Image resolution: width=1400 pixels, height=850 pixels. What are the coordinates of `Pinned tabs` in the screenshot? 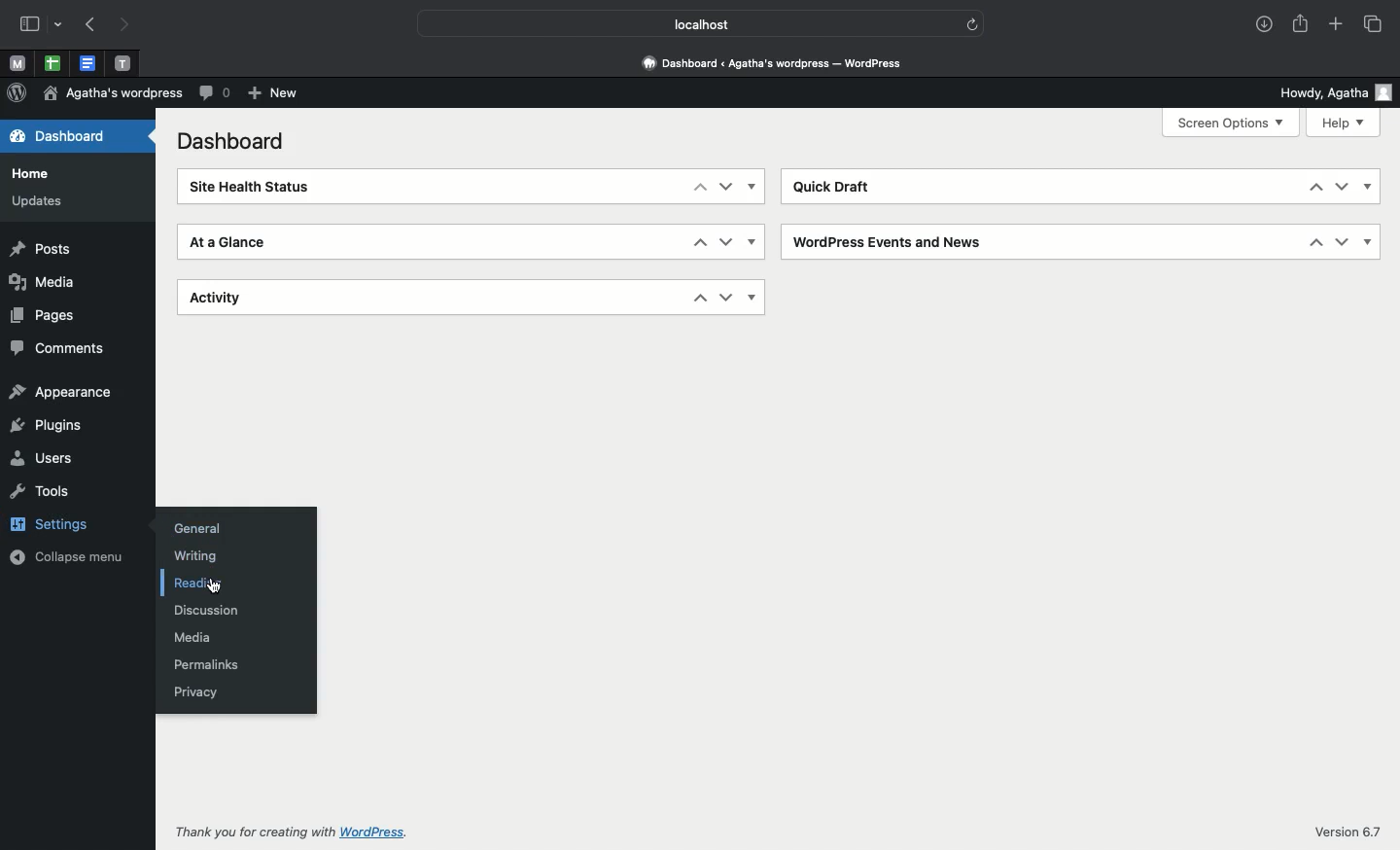 It's located at (52, 63).